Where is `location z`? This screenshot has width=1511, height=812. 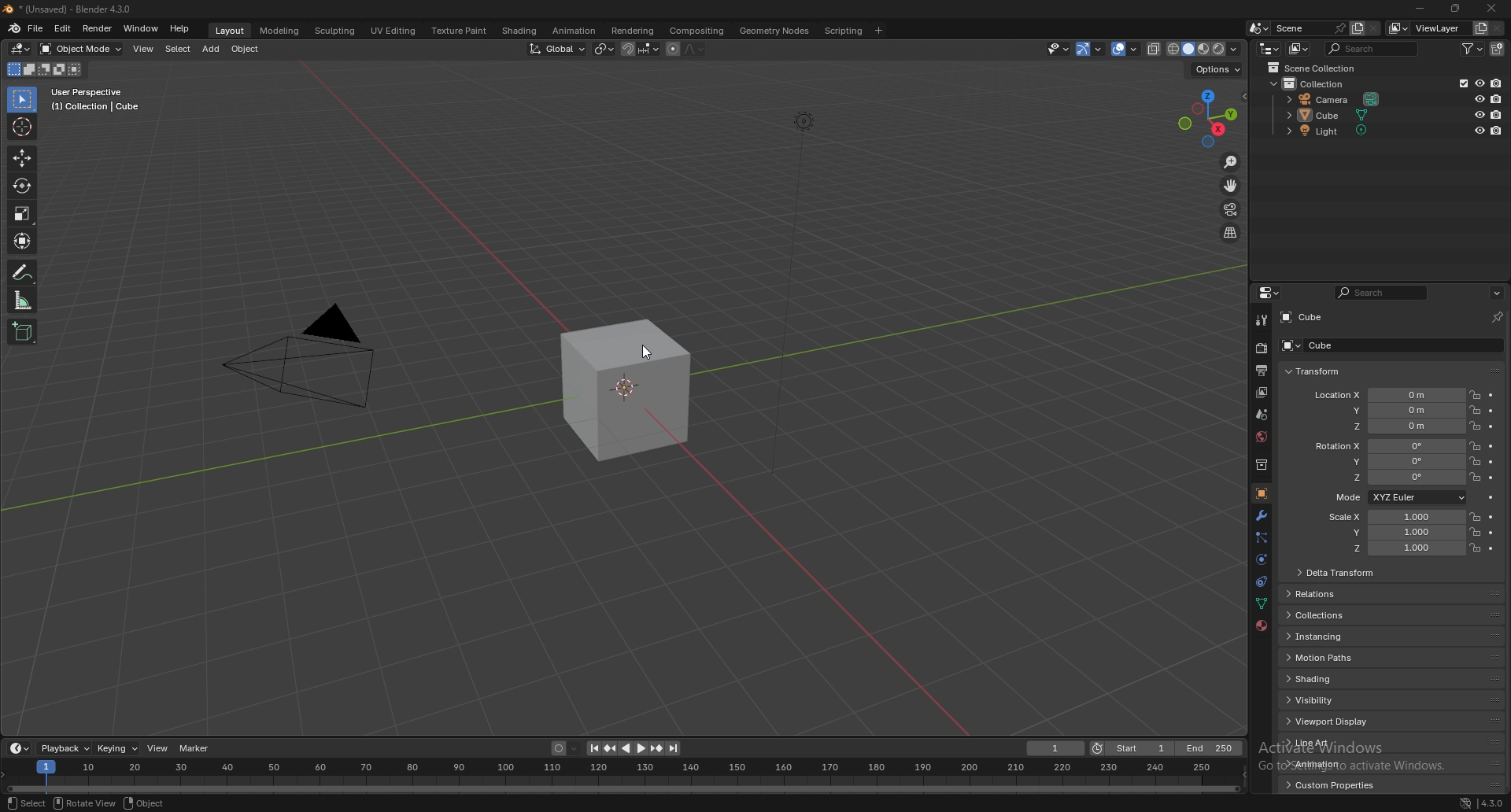
location z is located at coordinates (1389, 426).